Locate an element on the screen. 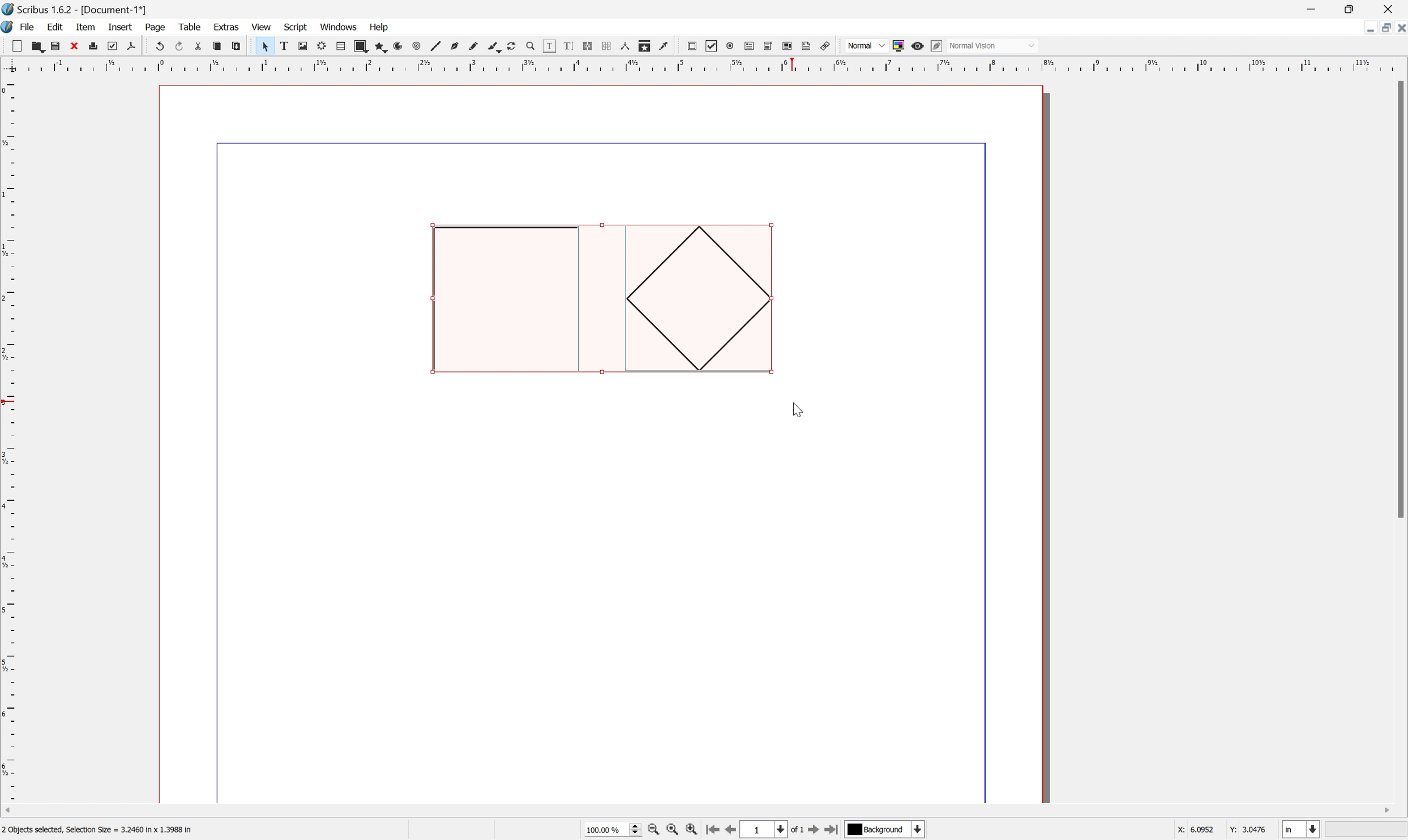 The image size is (1408, 840). paste is located at coordinates (235, 46).